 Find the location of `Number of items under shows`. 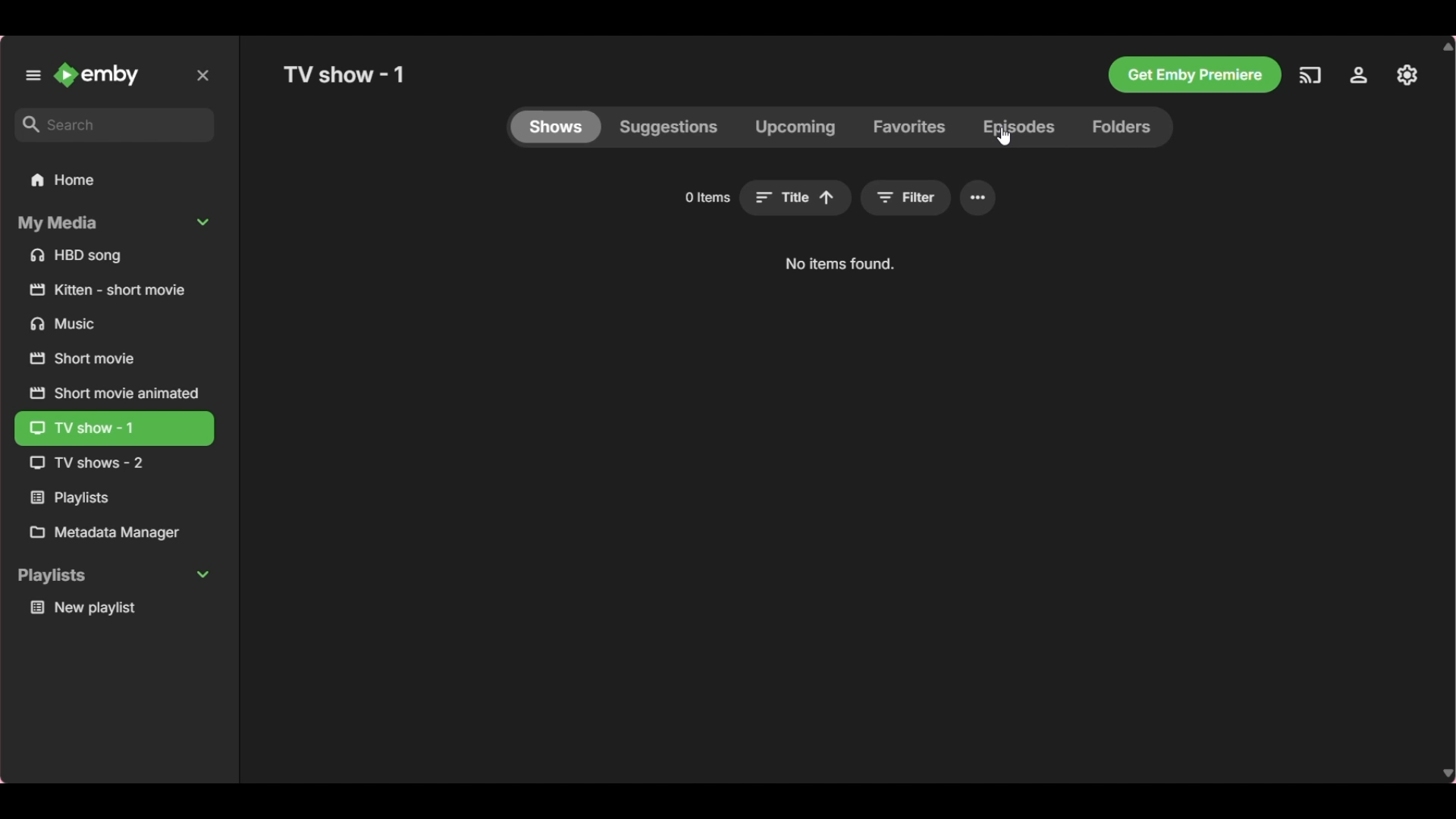

Number of items under shows is located at coordinates (706, 197).